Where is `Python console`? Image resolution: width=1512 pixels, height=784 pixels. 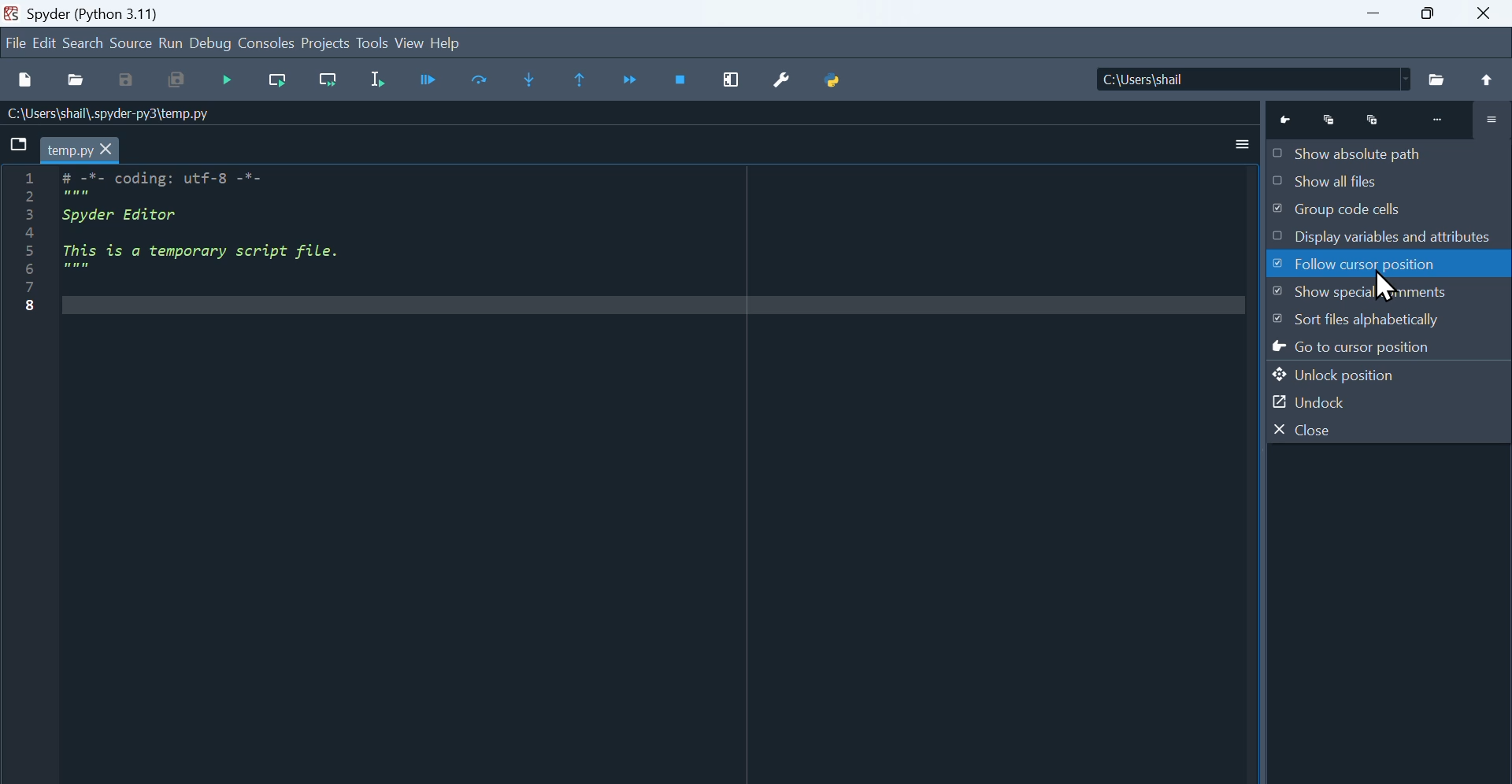
Python console is located at coordinates (1391, 116).